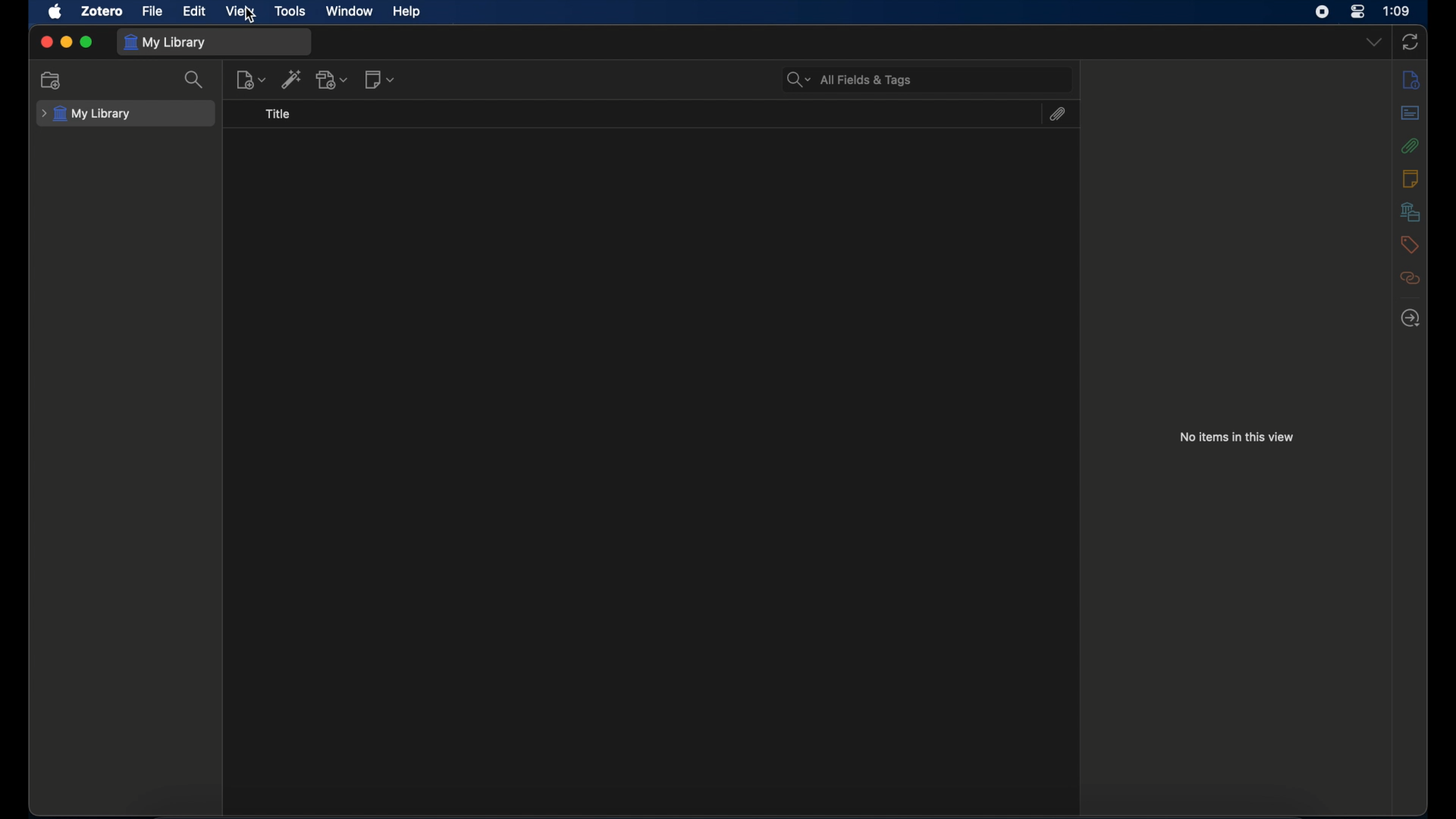  I want to click on zotero, so click(102, 12).